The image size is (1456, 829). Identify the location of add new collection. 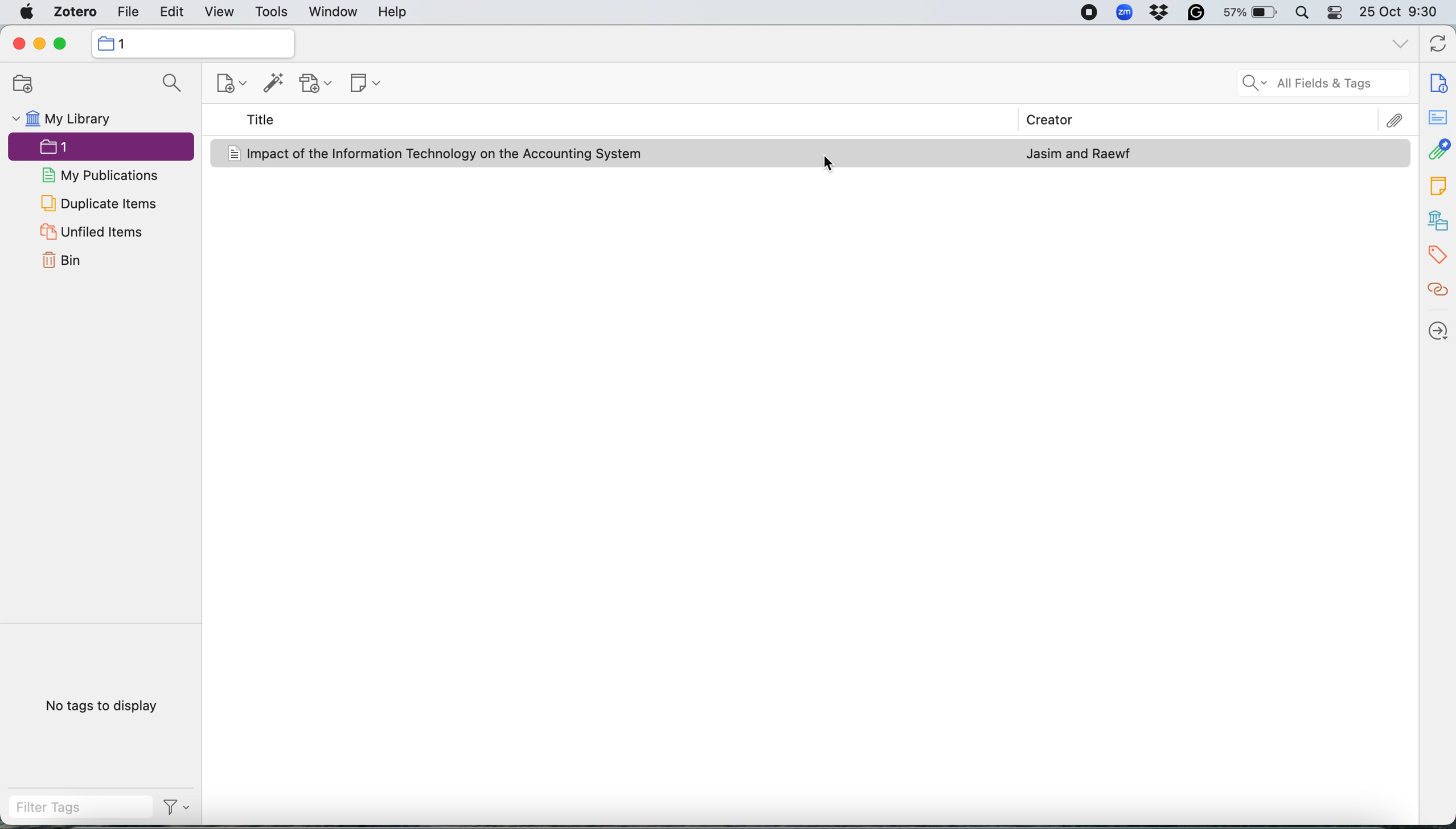
(22, 84).